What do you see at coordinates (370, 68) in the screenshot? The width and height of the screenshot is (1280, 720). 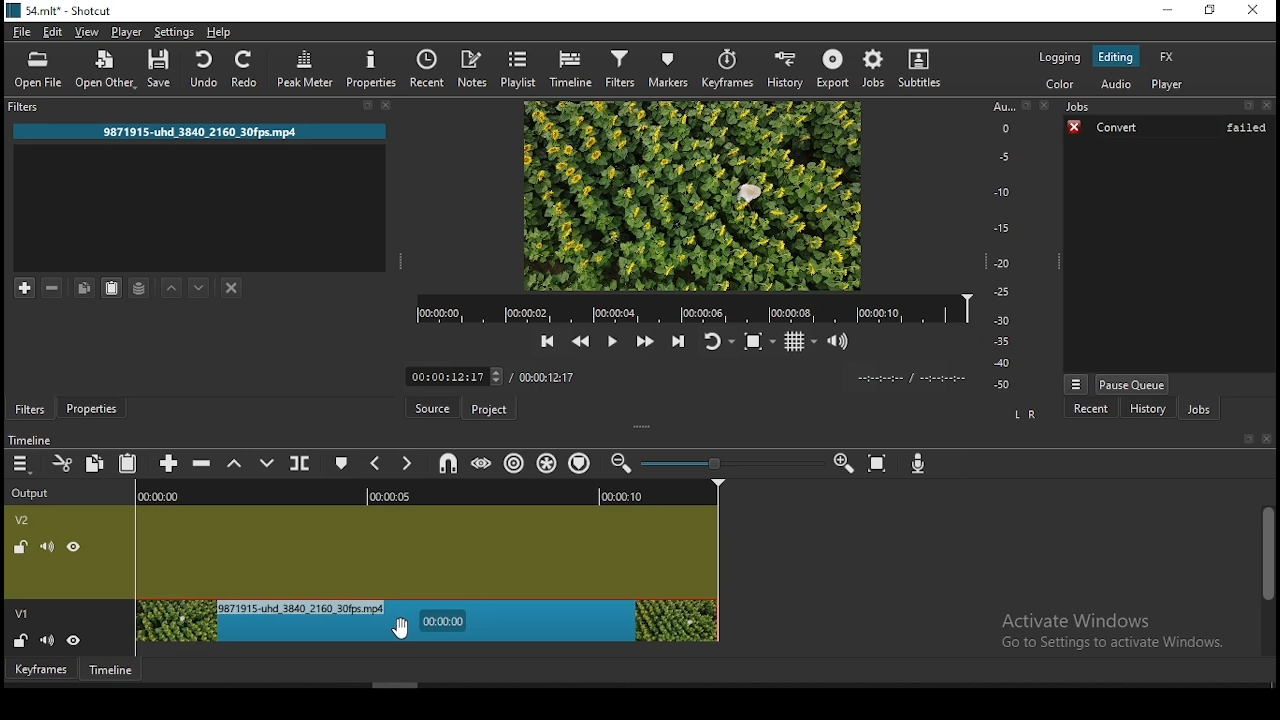 I see `properties` at bounding box center [370, 68].